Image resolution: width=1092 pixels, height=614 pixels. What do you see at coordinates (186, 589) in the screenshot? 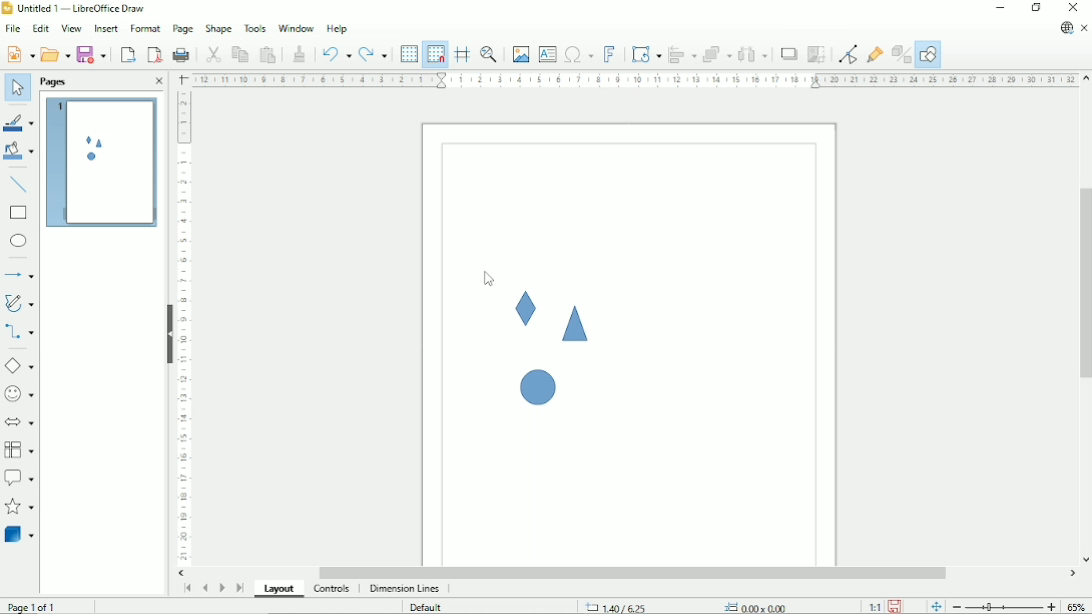
I see `Scroll to first page` at bounding box center [186, 589].